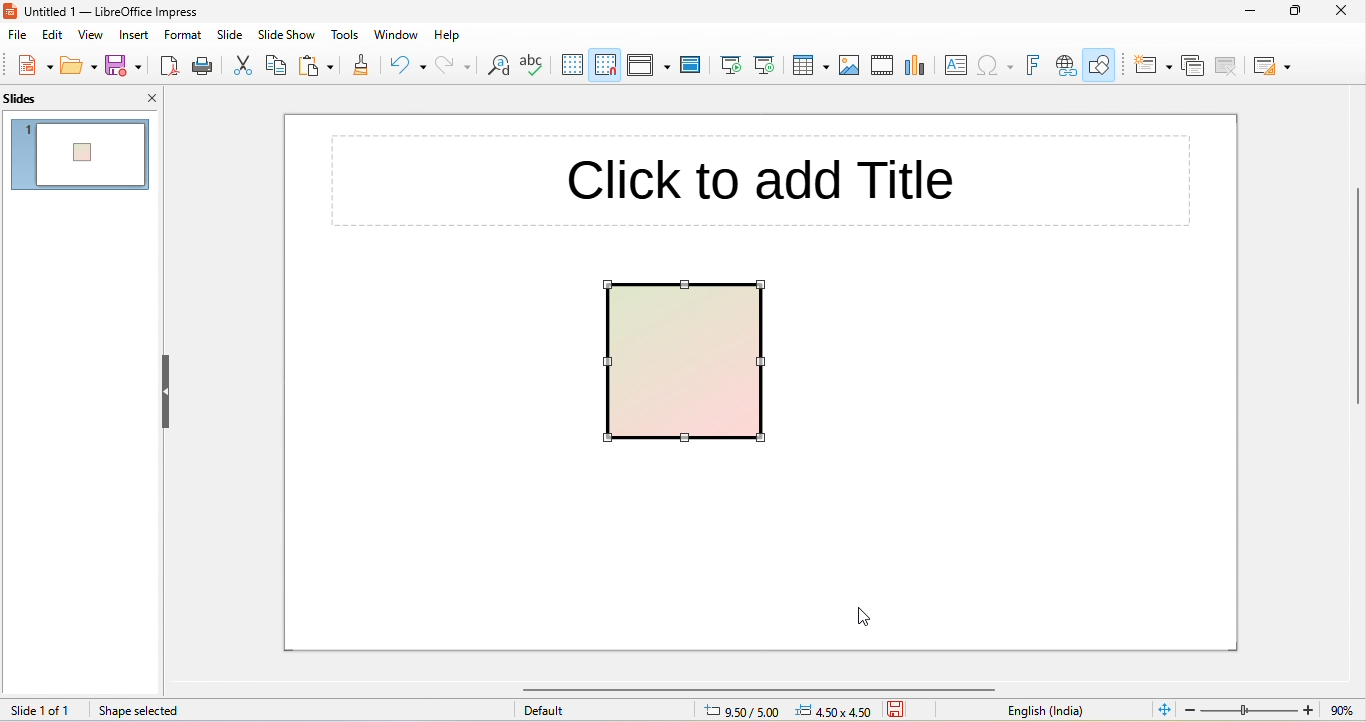 This screenshot has width=1366, height=722. I want to click on show draw functions, so click(1102, 64).